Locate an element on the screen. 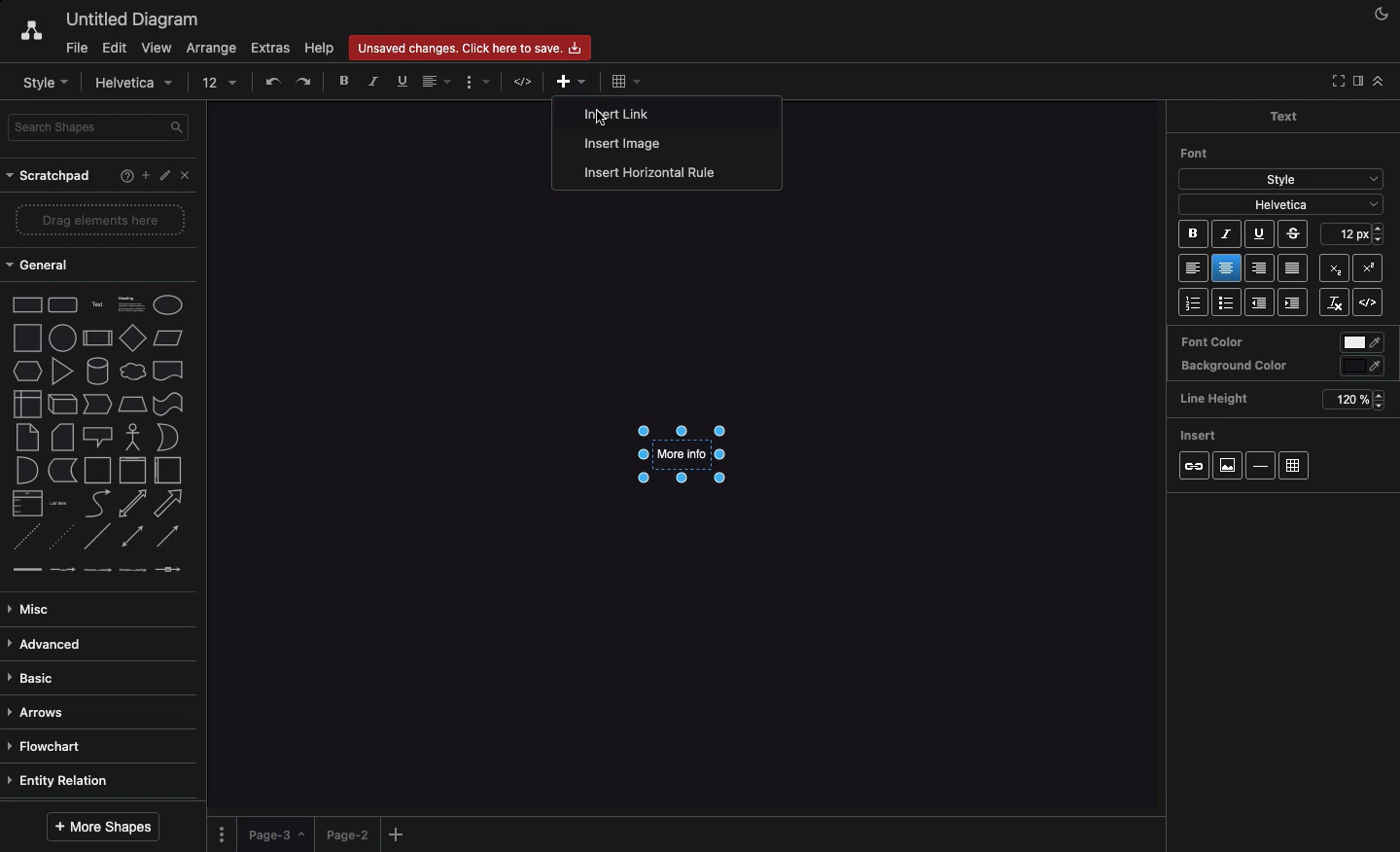 This screenshot has width=1400, height=852. Bold is located at coordinates (345, 80).